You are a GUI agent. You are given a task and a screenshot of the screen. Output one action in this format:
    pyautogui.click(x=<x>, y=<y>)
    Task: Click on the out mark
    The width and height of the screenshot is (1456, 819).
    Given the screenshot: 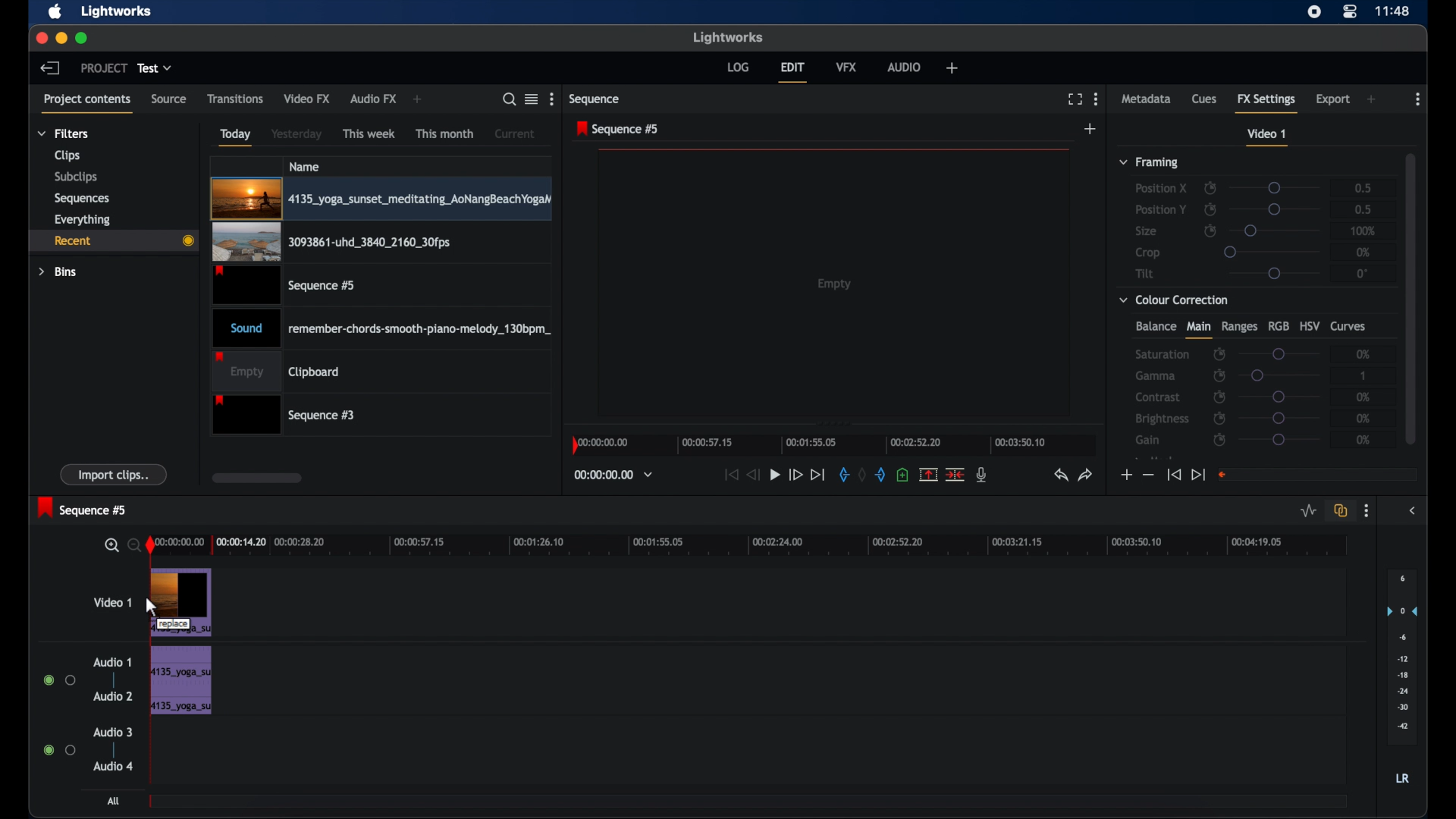 What is the action you would take?
    pyautogui.click(x=881, y=474)
    